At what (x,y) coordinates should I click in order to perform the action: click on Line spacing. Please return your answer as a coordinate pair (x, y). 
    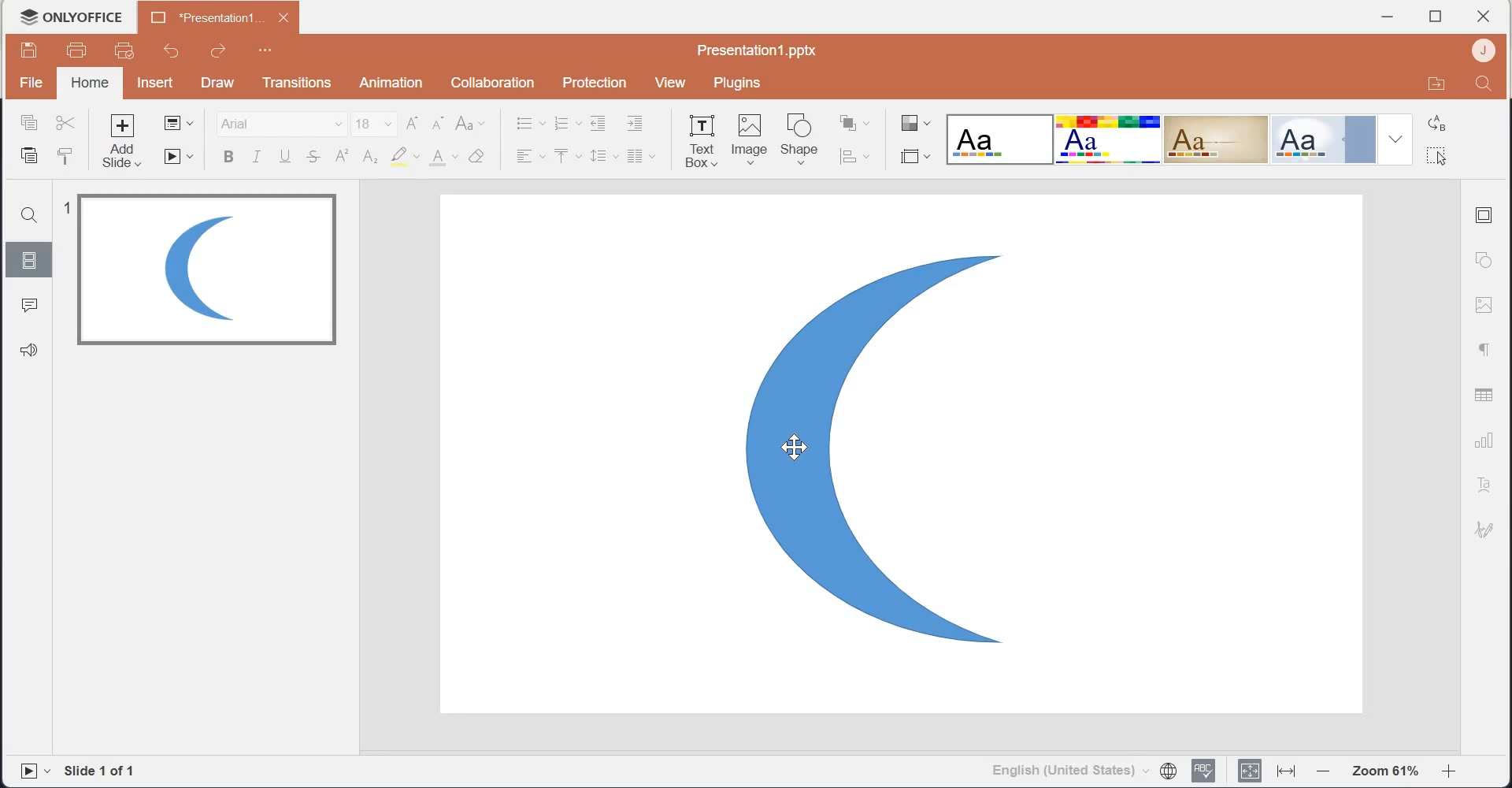
    Looking at the image, I should click on (605, 157).